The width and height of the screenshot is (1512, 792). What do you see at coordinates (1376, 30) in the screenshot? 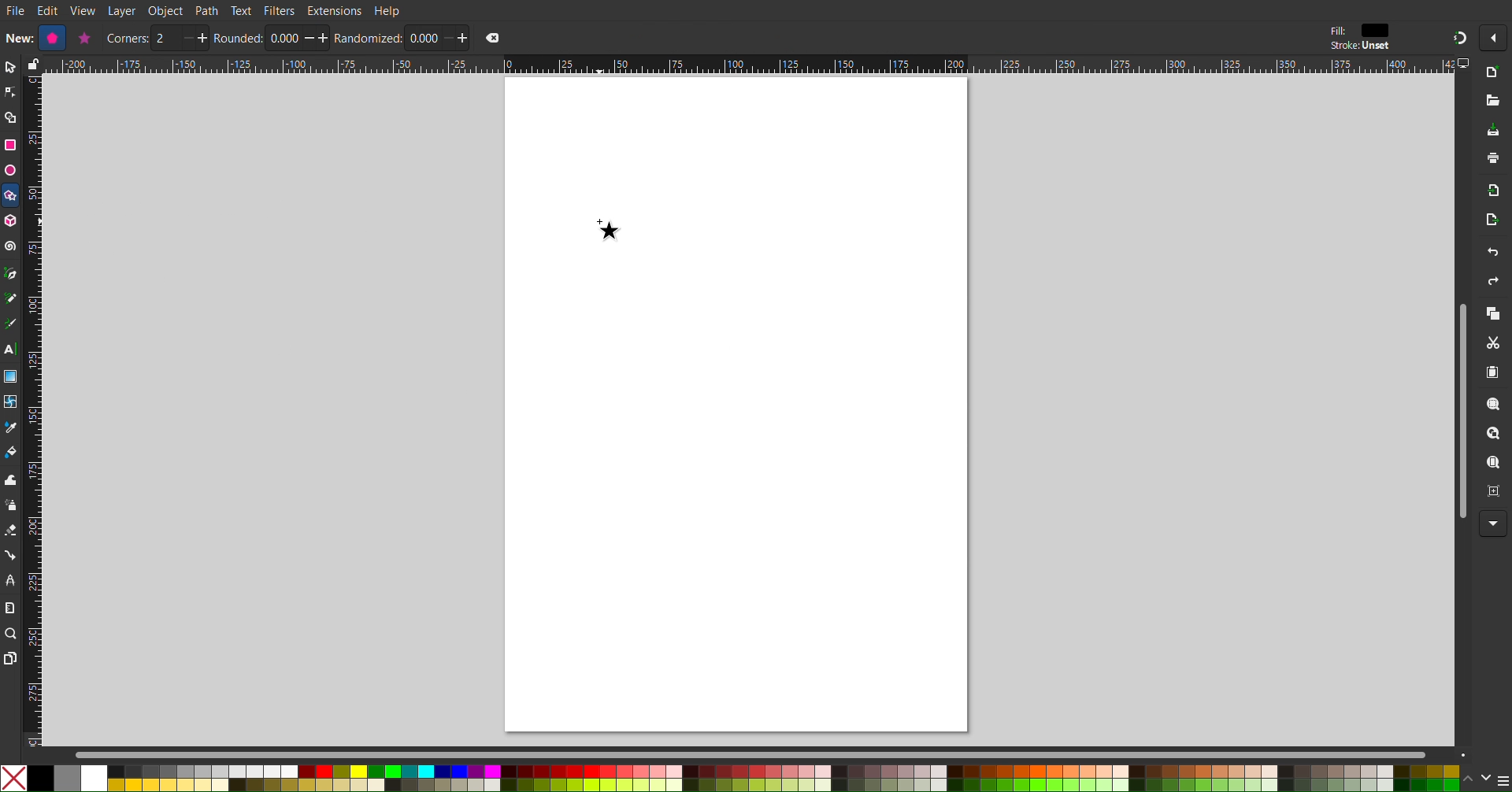
I see `color` at bounding box center [1376, 30].